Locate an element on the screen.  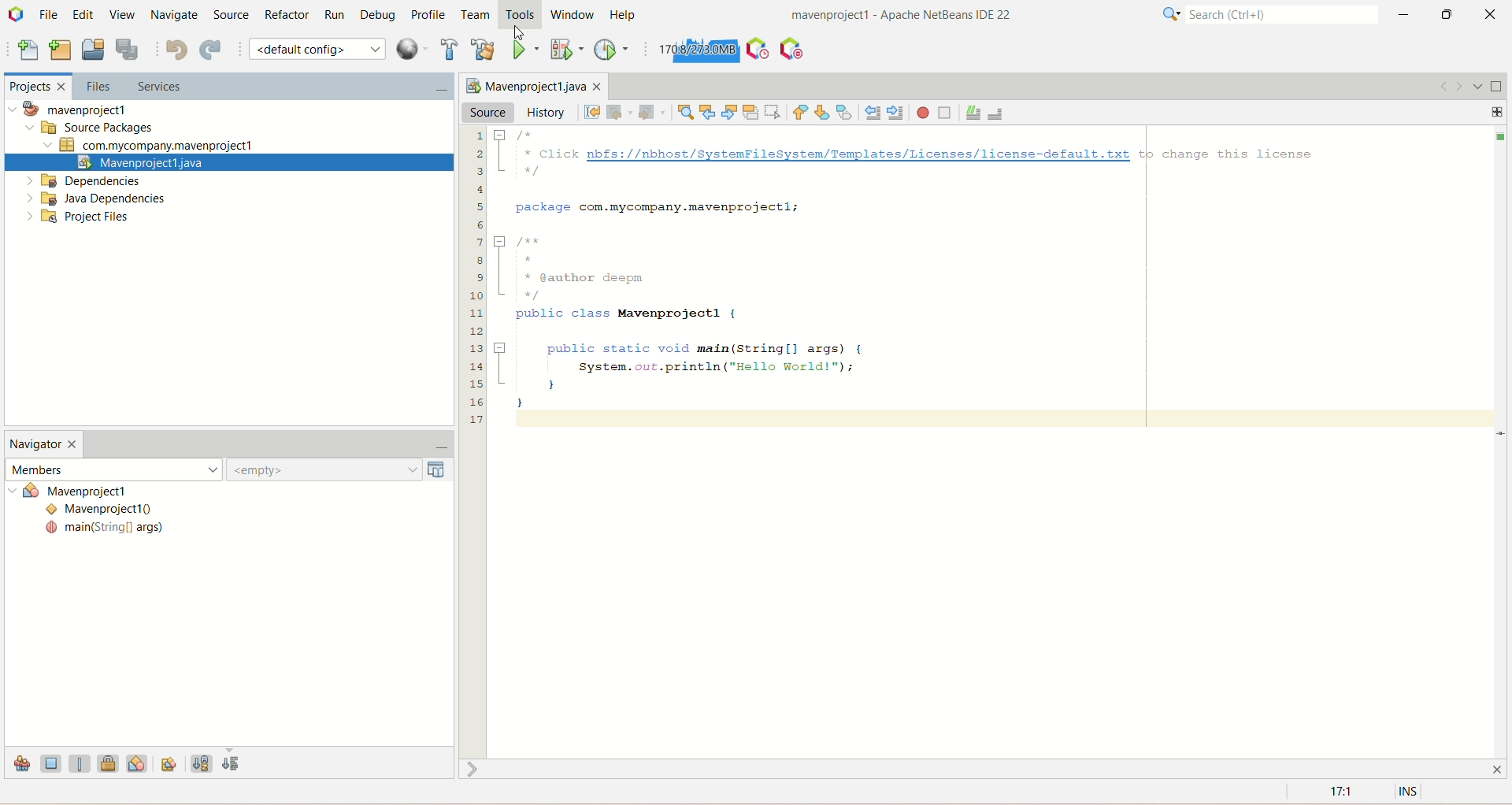
new project is located at coordinates (60, 48).